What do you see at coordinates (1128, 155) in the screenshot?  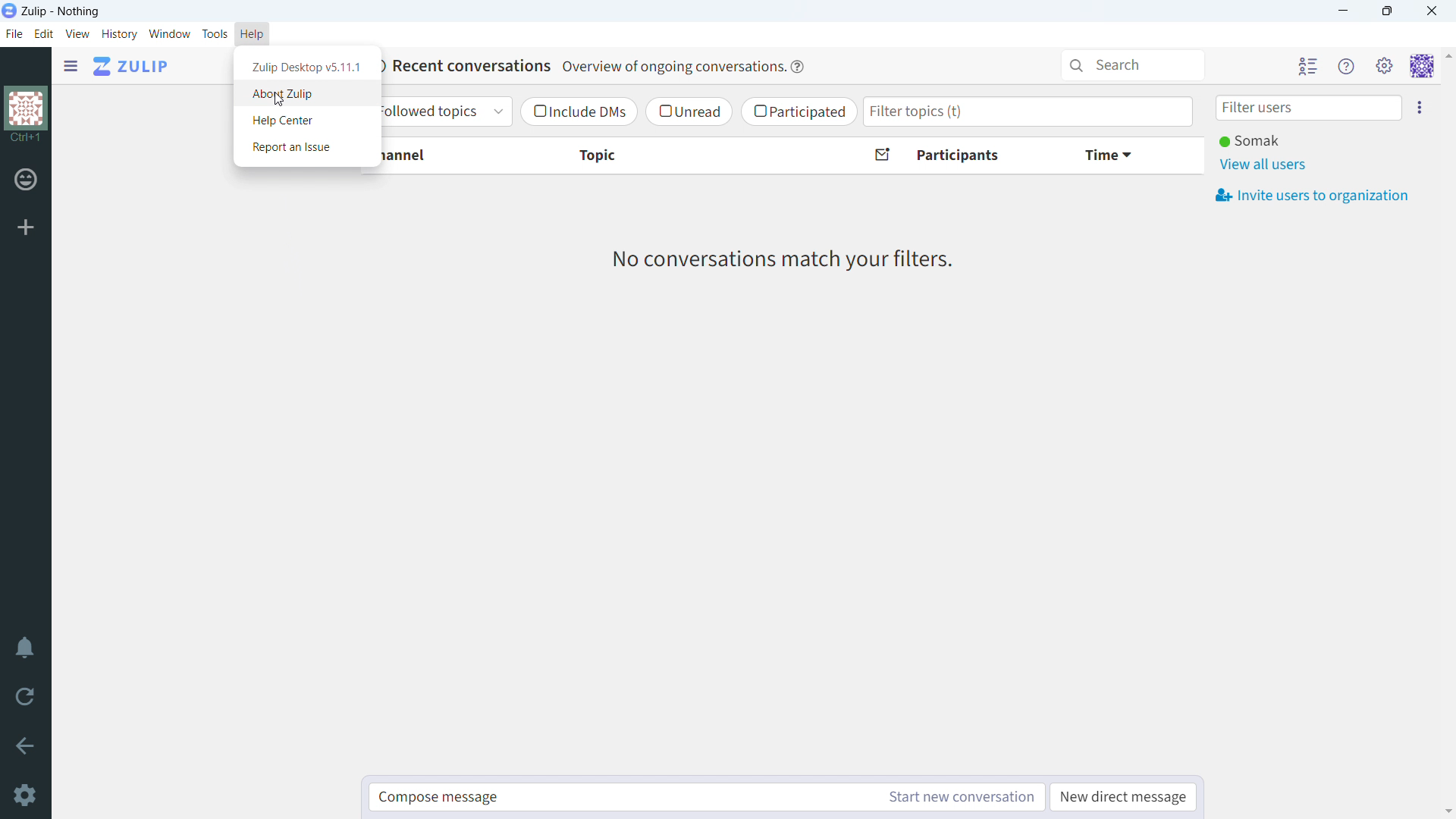 I see `sort by time` at bounding box center [1128, 155].